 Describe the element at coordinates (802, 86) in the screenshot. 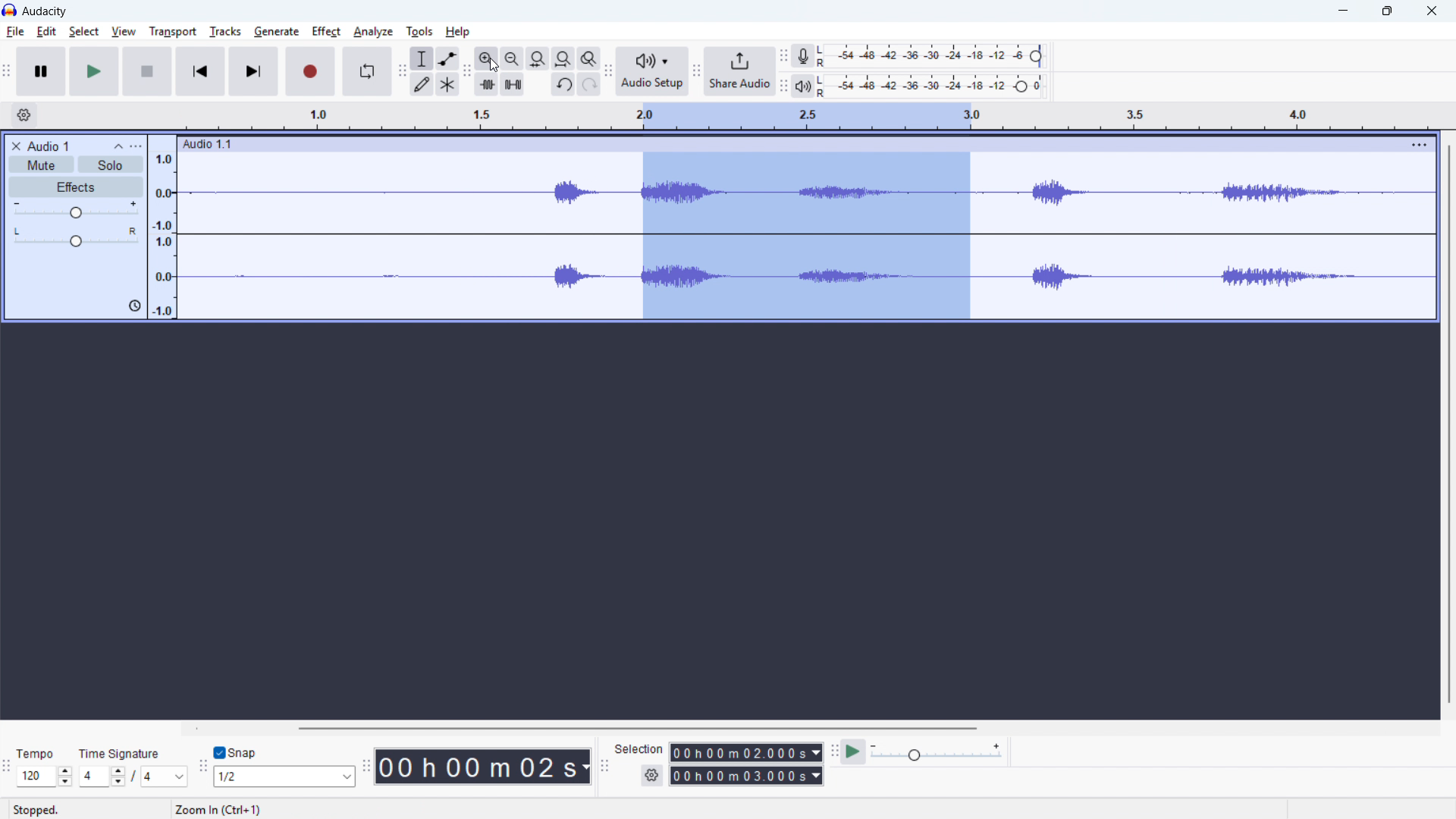

I see `playback metre` at that location.